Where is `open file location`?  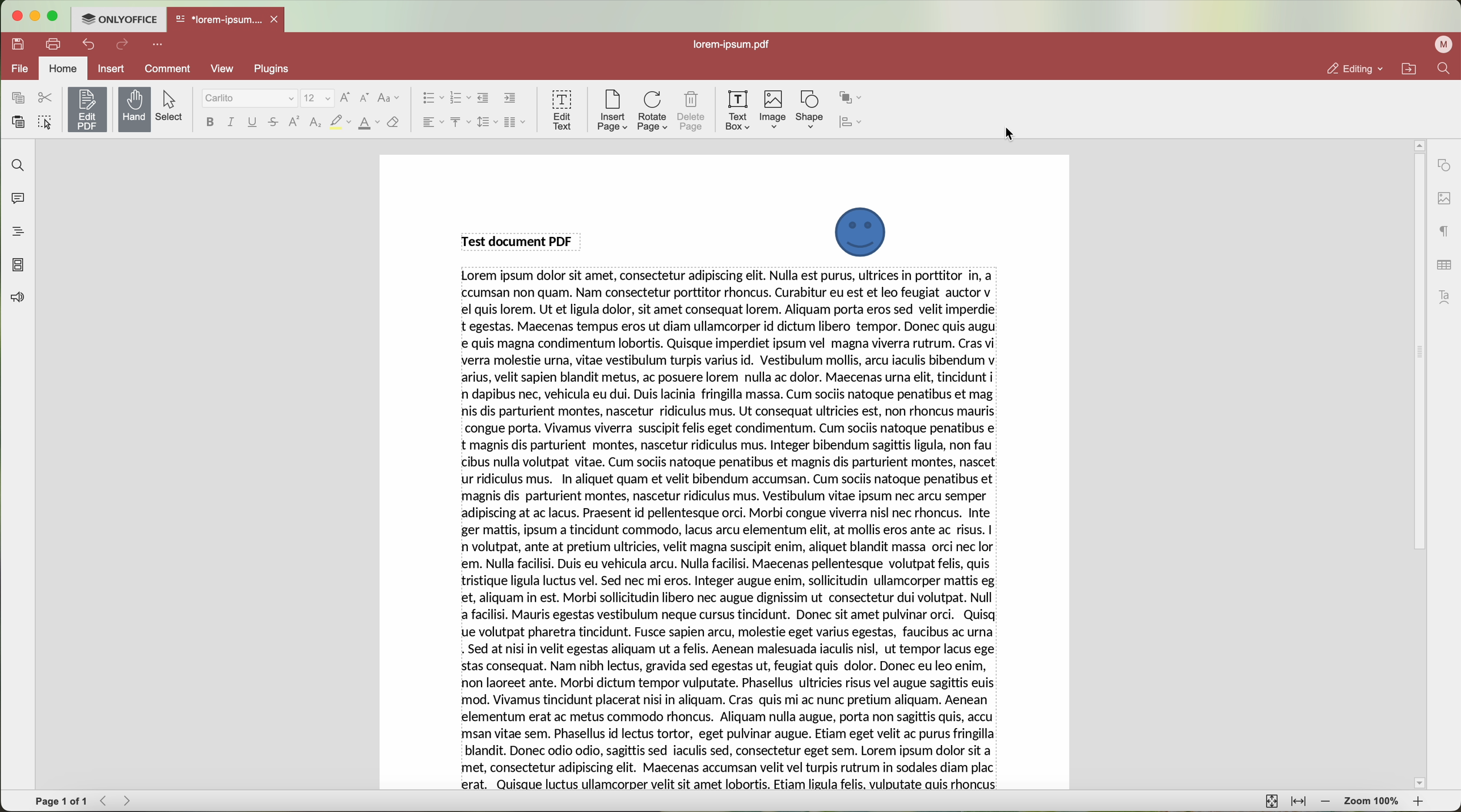
open file location is located at coordinates (1409, 69).